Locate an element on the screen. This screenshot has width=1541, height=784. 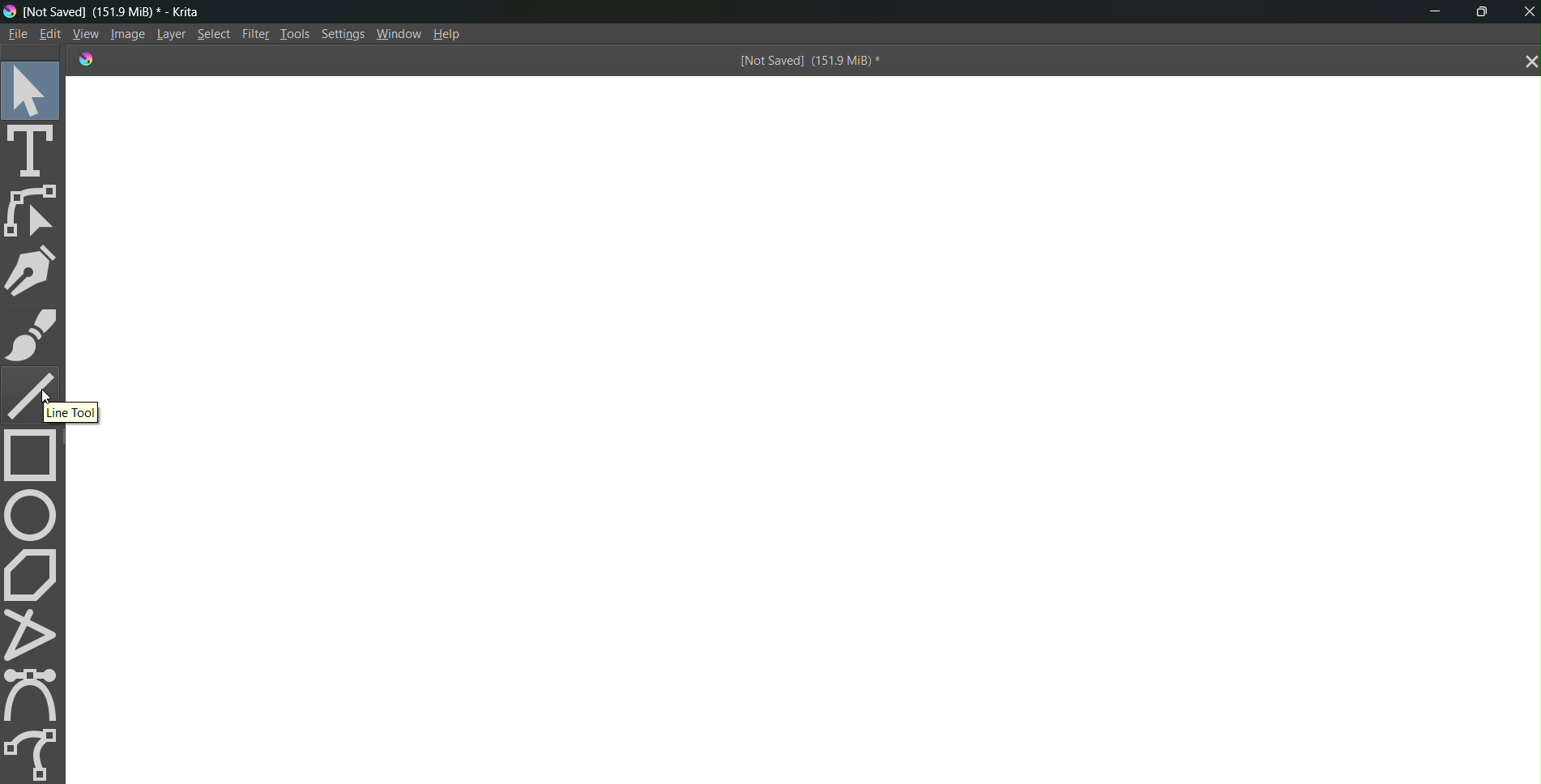
polygon is located at coordinates (34, 573).